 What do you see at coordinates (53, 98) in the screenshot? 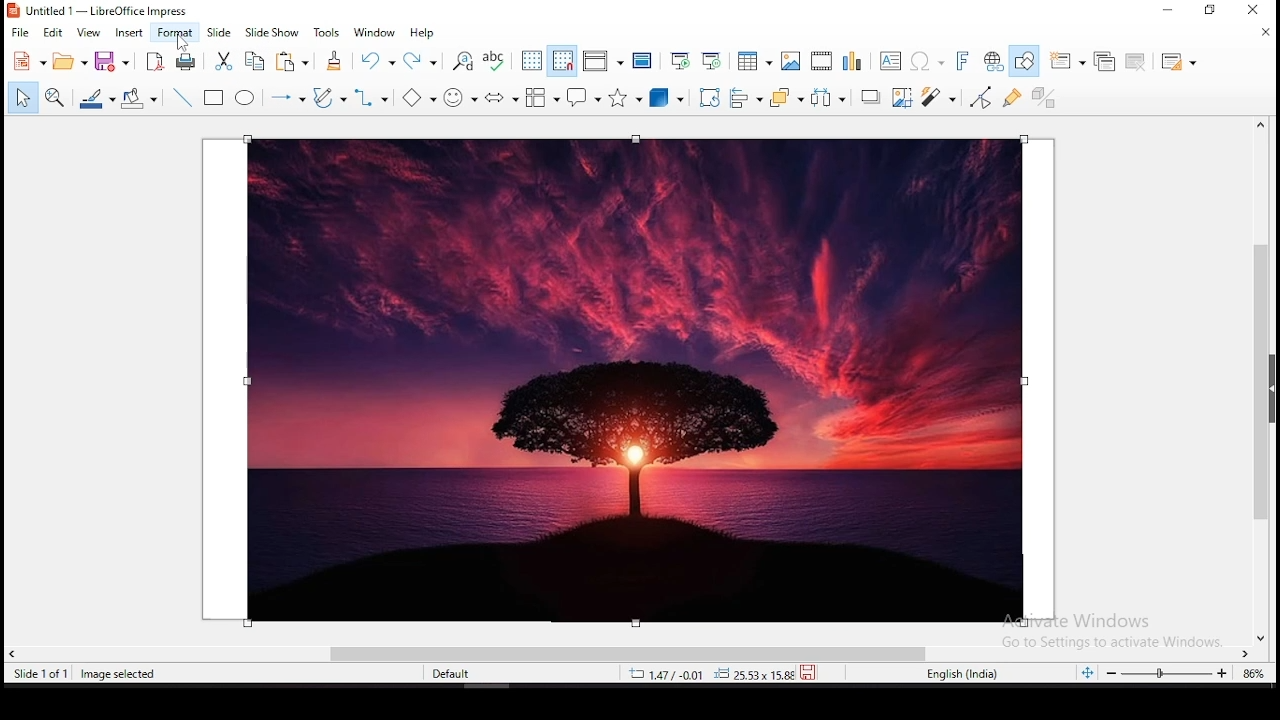
I see `zoom and pan` at bounding box center [53, 98].